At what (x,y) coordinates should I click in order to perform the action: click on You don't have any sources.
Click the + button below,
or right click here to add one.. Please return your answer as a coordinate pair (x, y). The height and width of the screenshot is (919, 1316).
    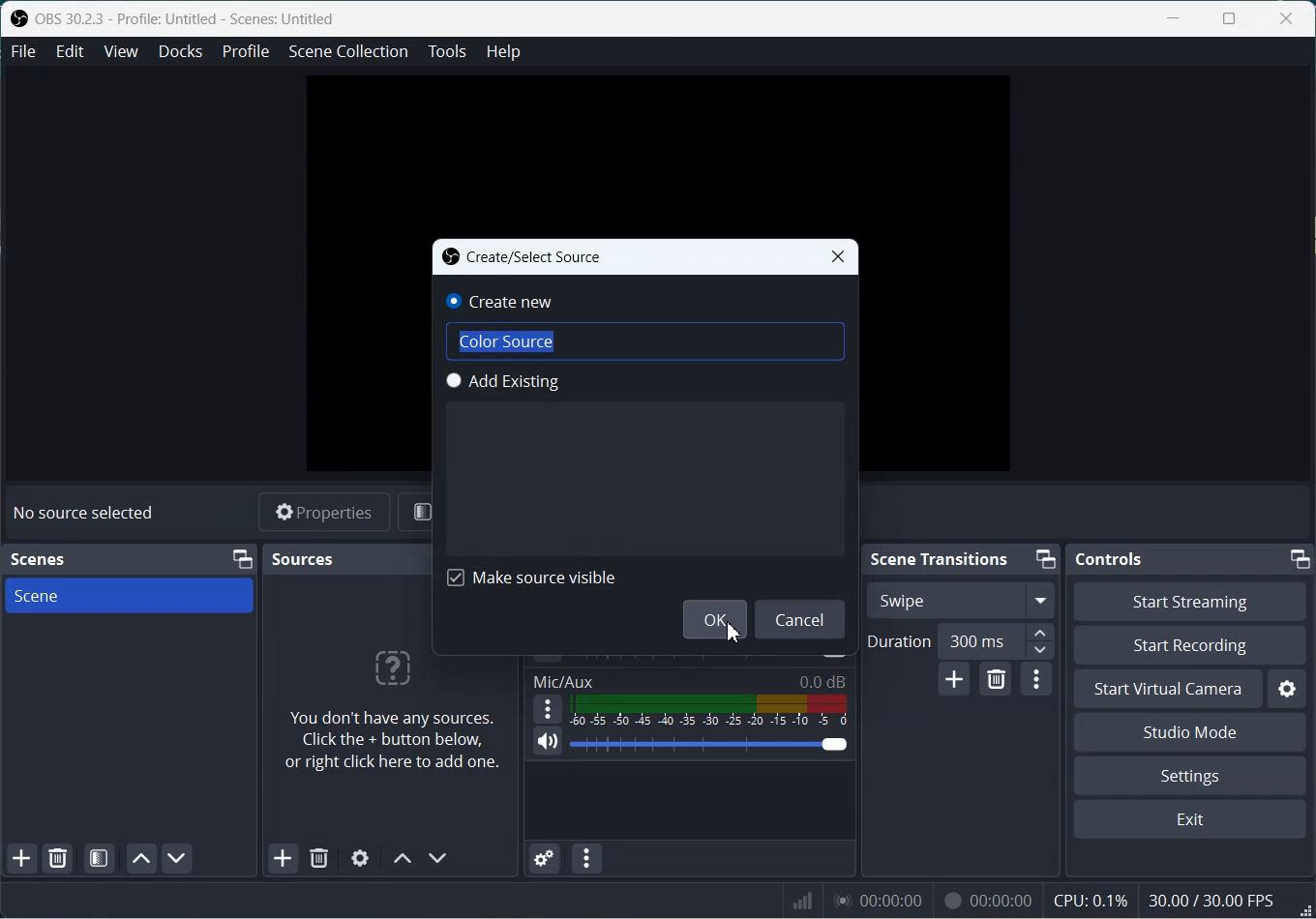
    Looking at the image, I should click on (389, 726).